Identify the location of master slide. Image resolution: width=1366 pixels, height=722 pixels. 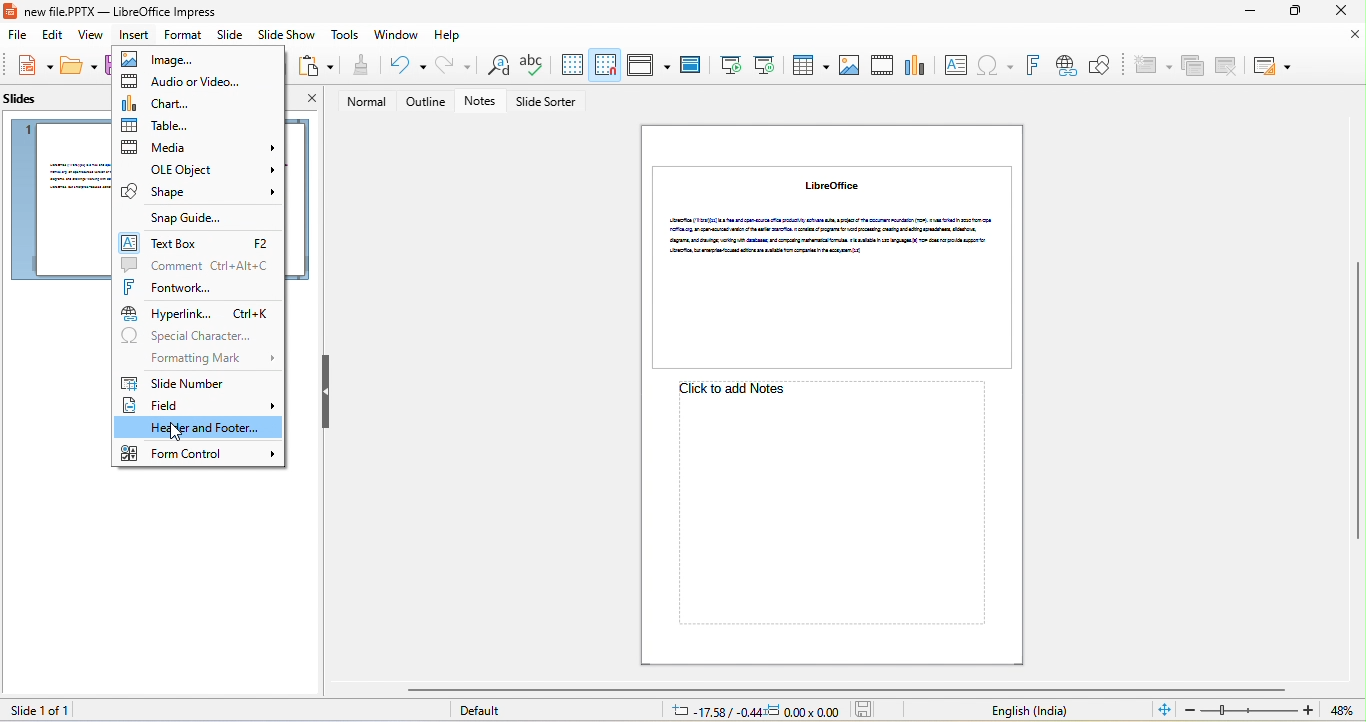
(690, 66).